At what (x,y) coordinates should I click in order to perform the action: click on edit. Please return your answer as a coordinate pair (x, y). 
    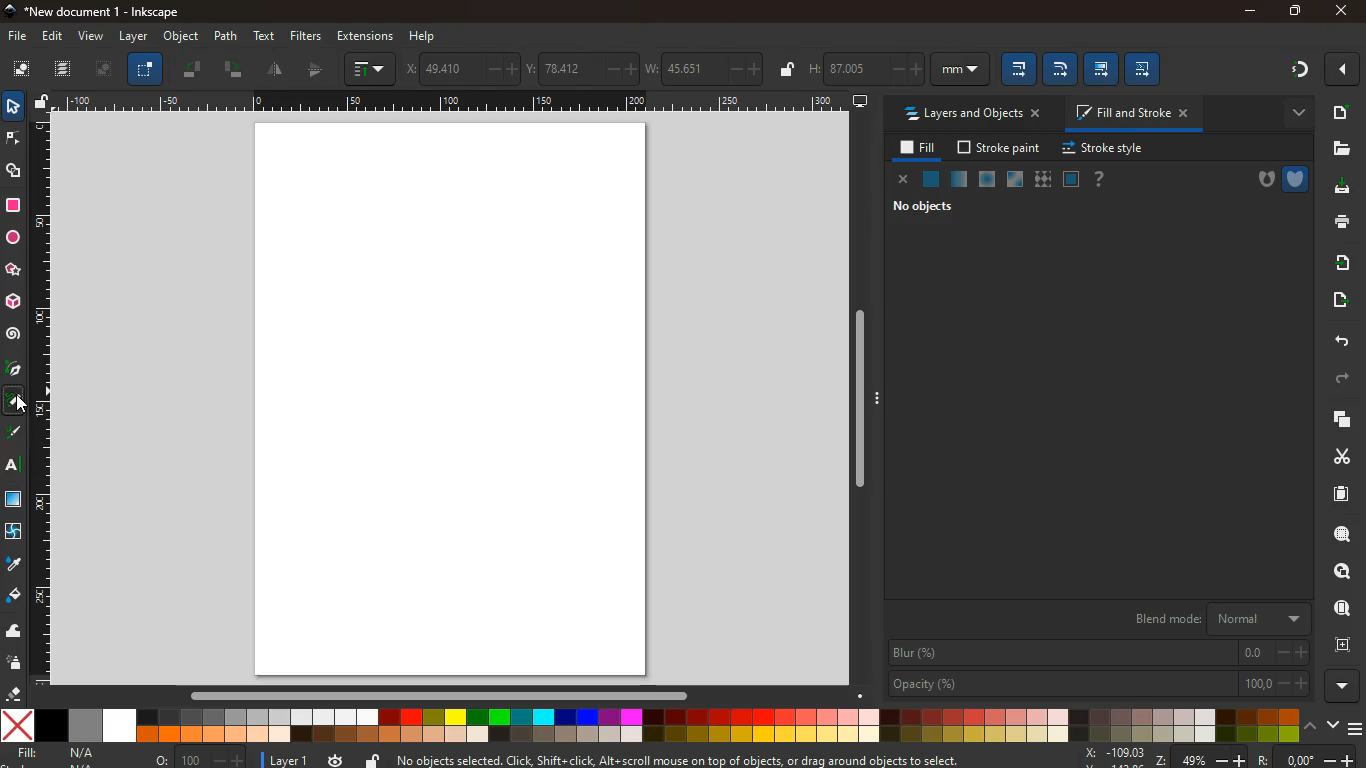
    Looking at the image, I should click on (1018, 69).